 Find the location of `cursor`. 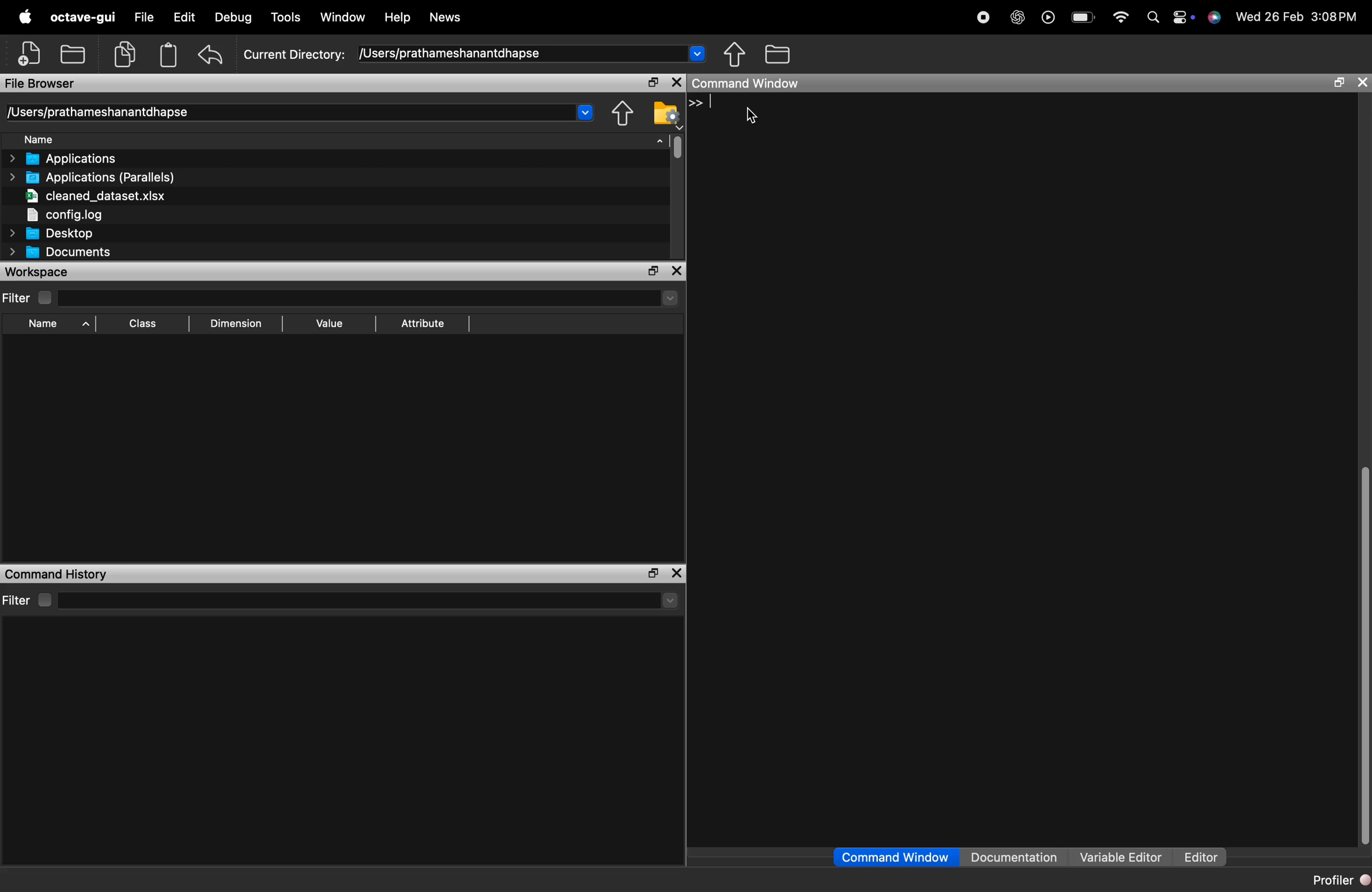

cursor is located at coordinates (752, 115).